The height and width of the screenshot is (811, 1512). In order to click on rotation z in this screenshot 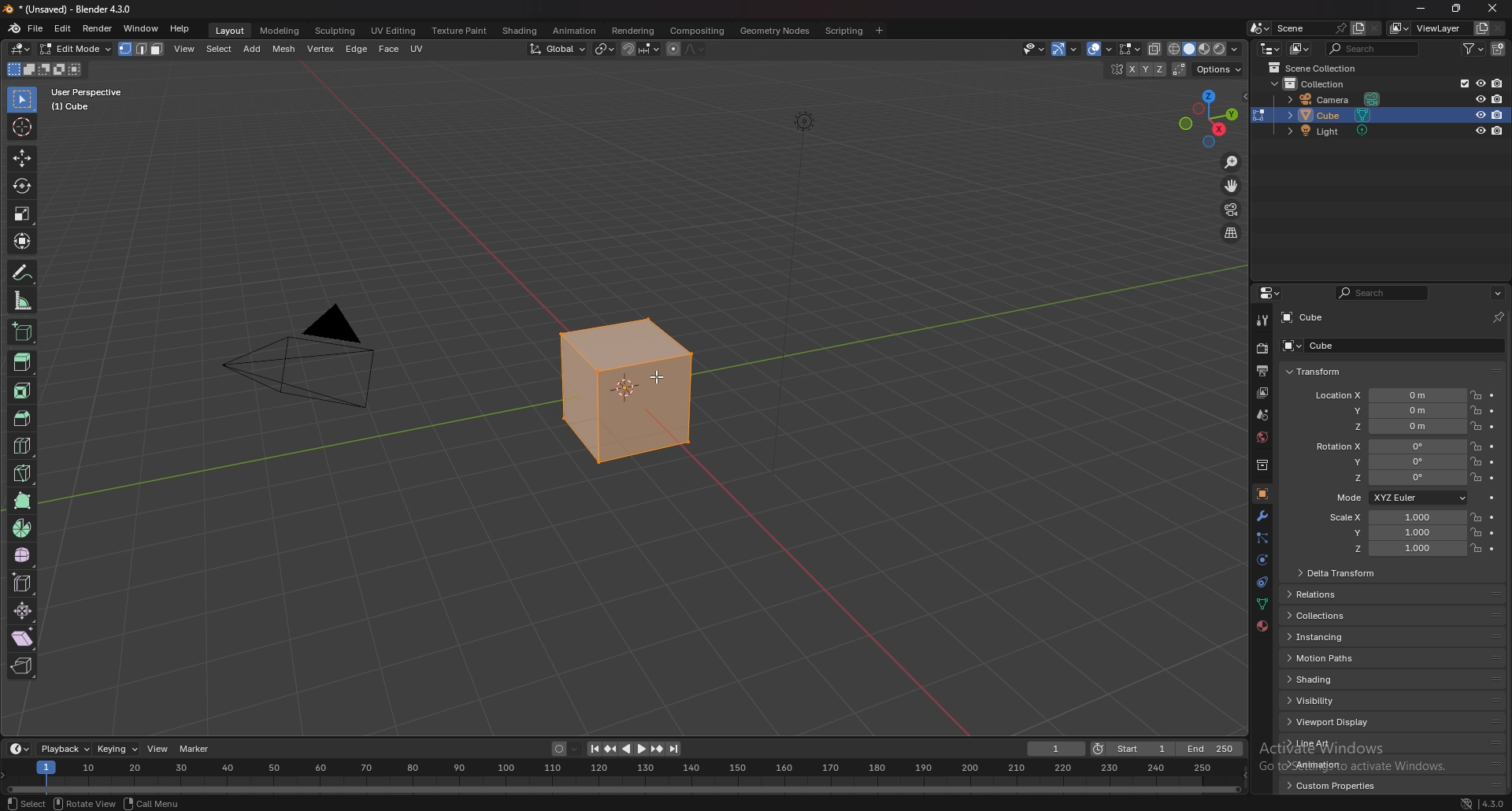, I will do `click(1388, 477)`.